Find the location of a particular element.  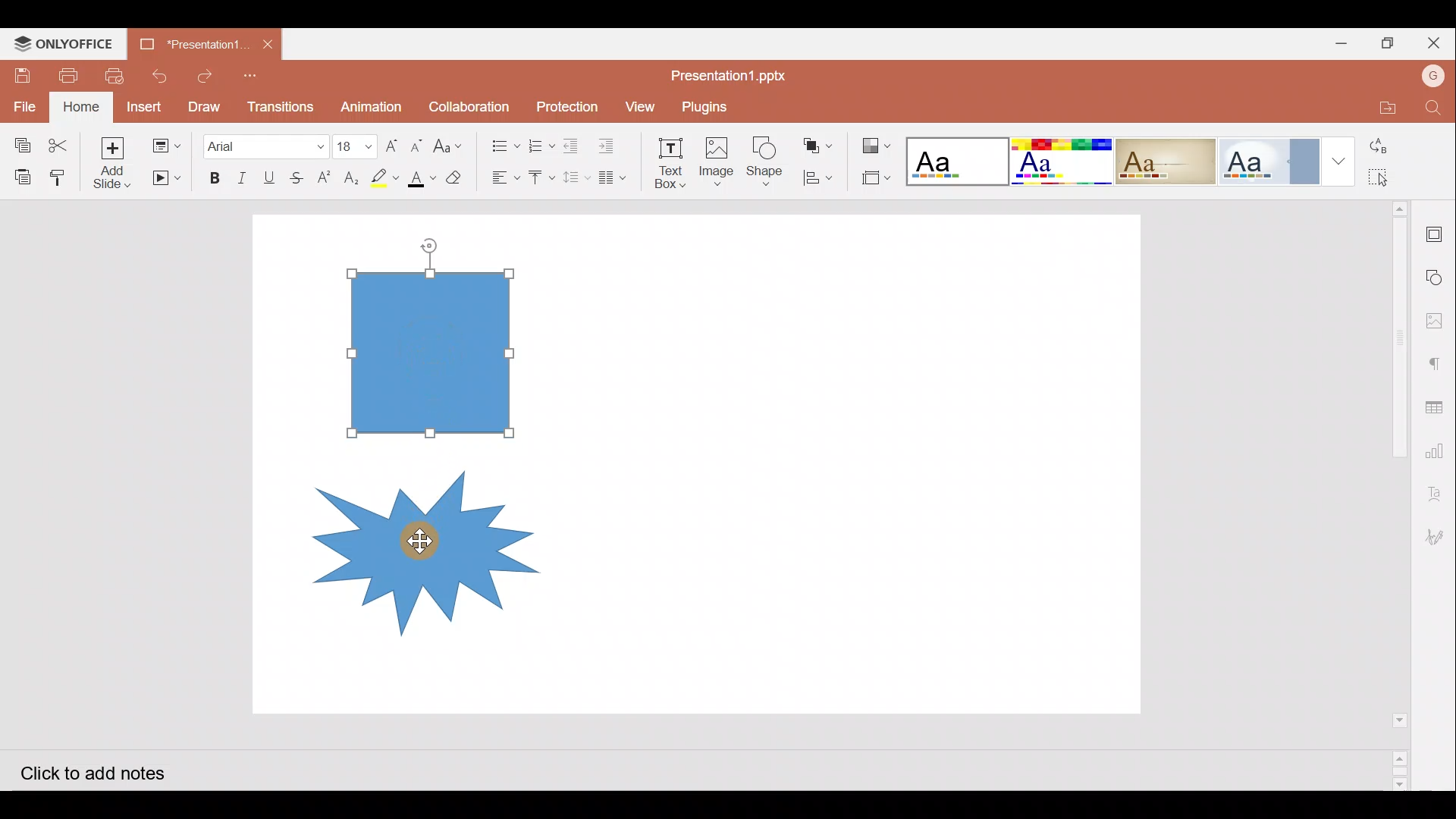

Print file is located at coordinates (73, 74).